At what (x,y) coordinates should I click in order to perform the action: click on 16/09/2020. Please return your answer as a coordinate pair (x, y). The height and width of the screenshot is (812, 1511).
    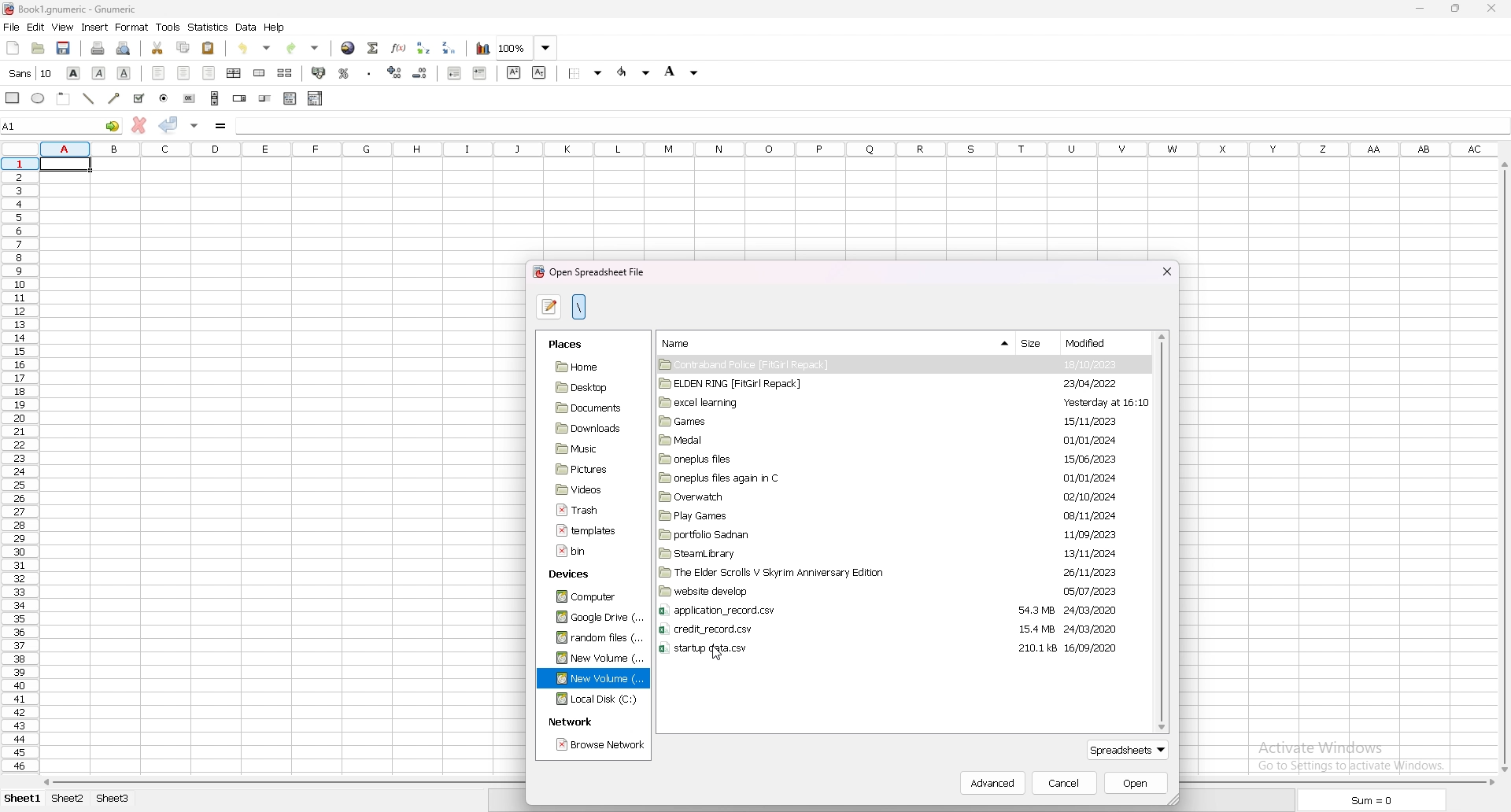
    Looking at the image, I should click on (1095, 648).